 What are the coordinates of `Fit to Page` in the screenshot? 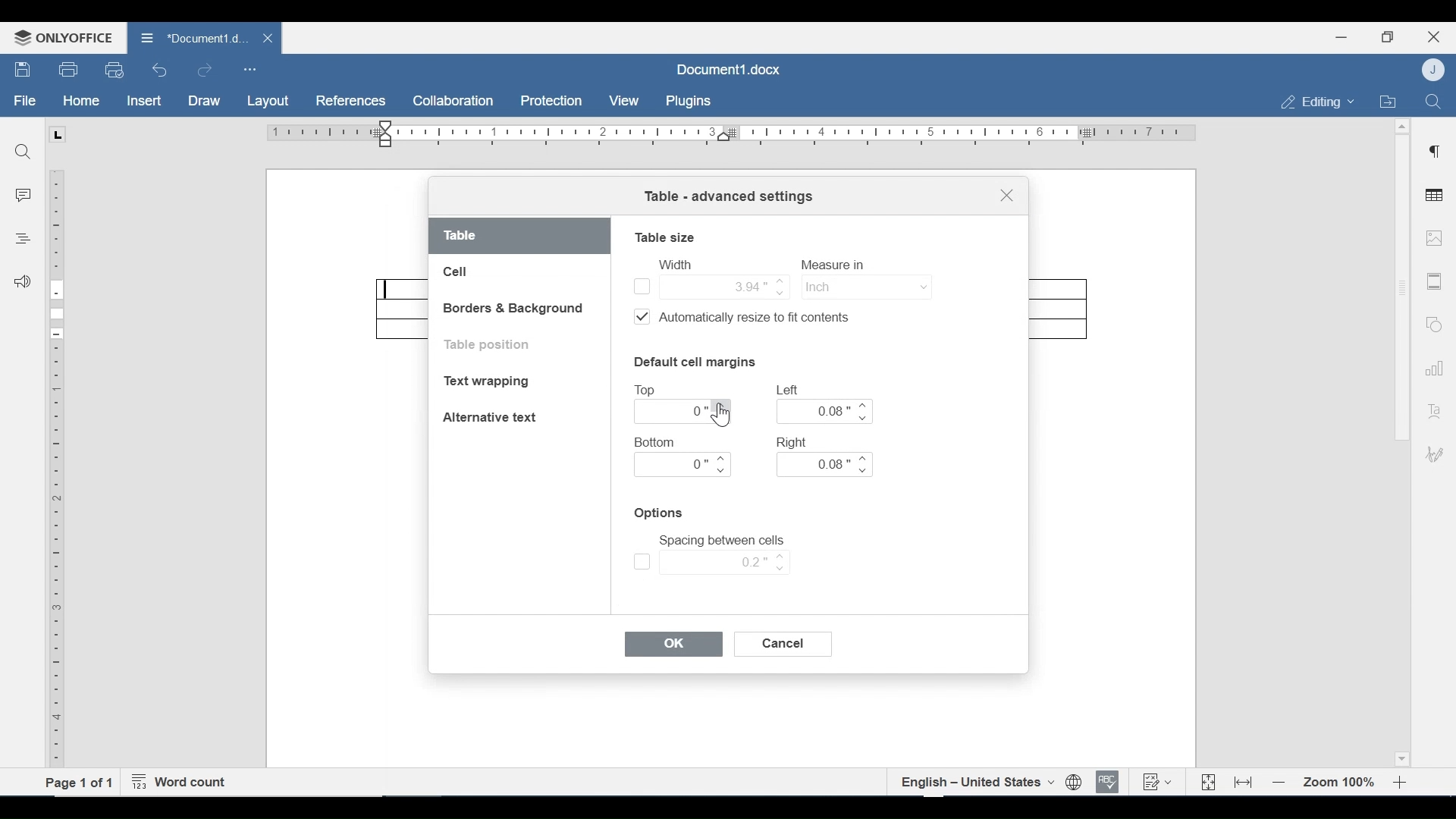 It's located at (1207, 783).